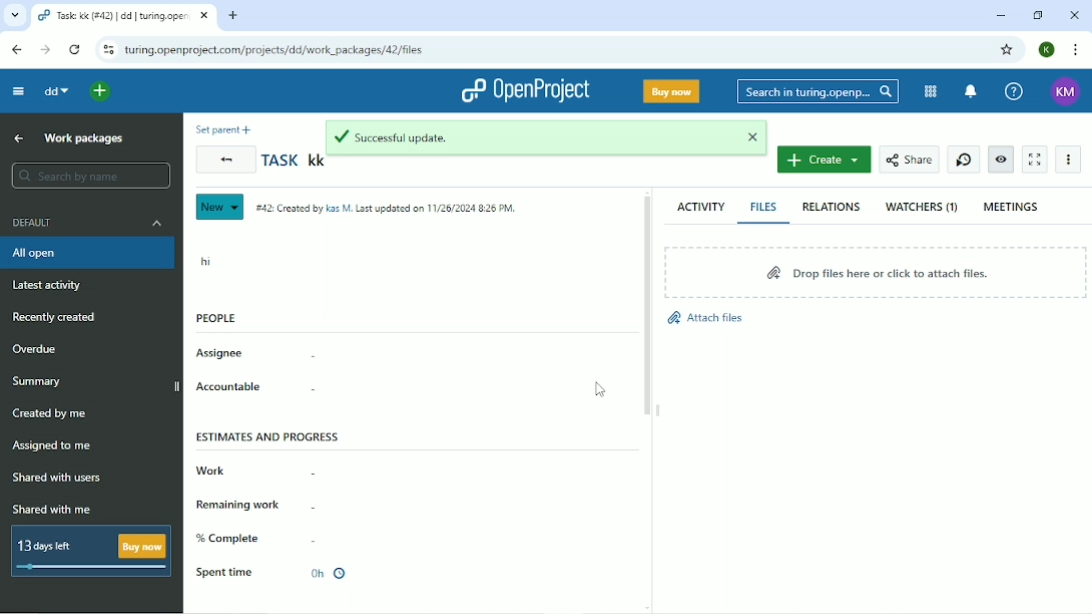  What do you see at coordinates (964, 159) in the screenshot?
I see `Start new timer` at bounding box center [964, 159].